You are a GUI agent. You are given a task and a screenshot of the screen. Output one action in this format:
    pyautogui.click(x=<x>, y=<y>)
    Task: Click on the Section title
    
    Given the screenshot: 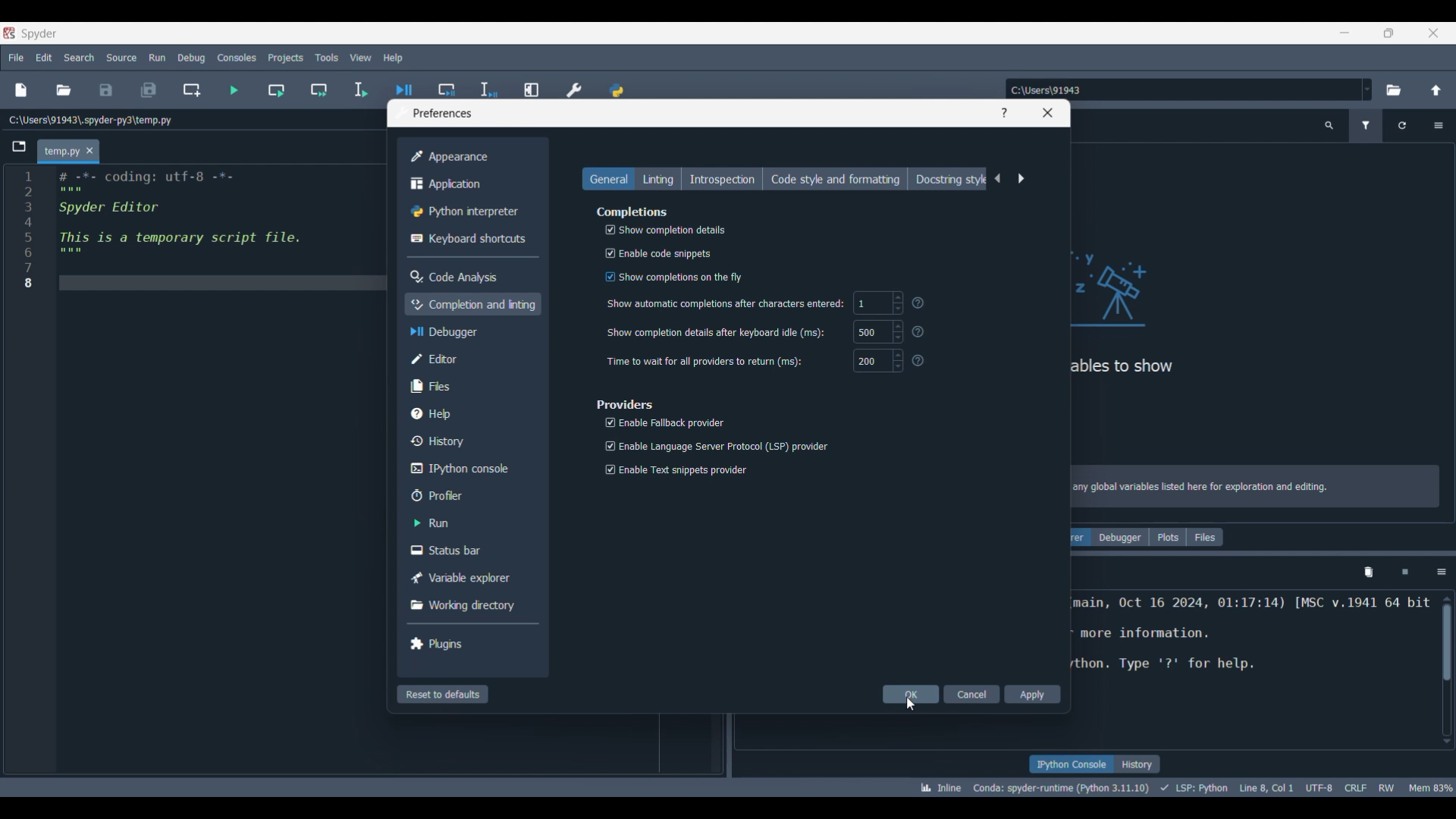 What is the action you would take?
    pyautogui.click(x=626, y=404)
    